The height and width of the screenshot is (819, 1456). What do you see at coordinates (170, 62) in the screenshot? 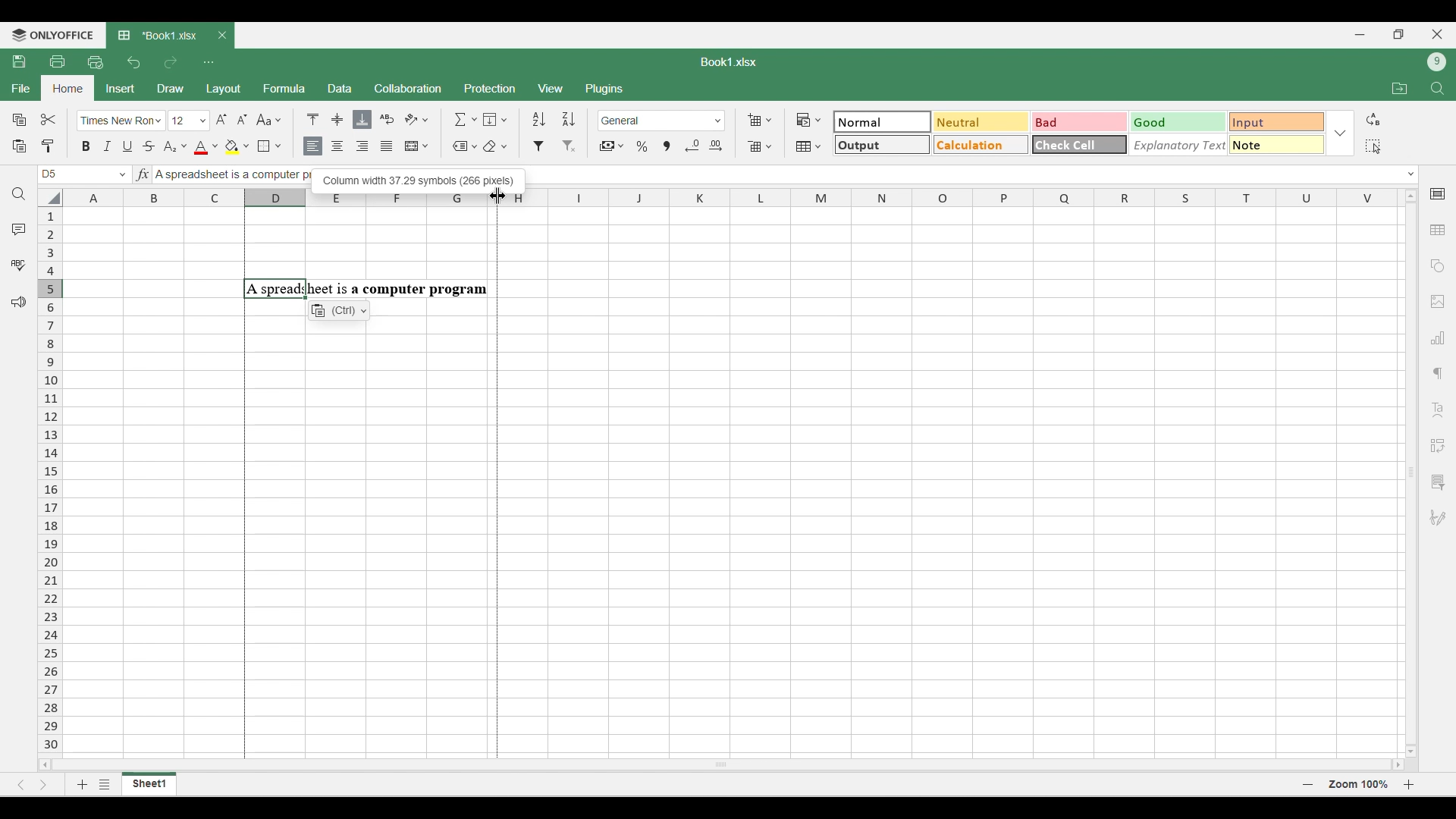
I see `Redo` at bounding box center [170, 62].